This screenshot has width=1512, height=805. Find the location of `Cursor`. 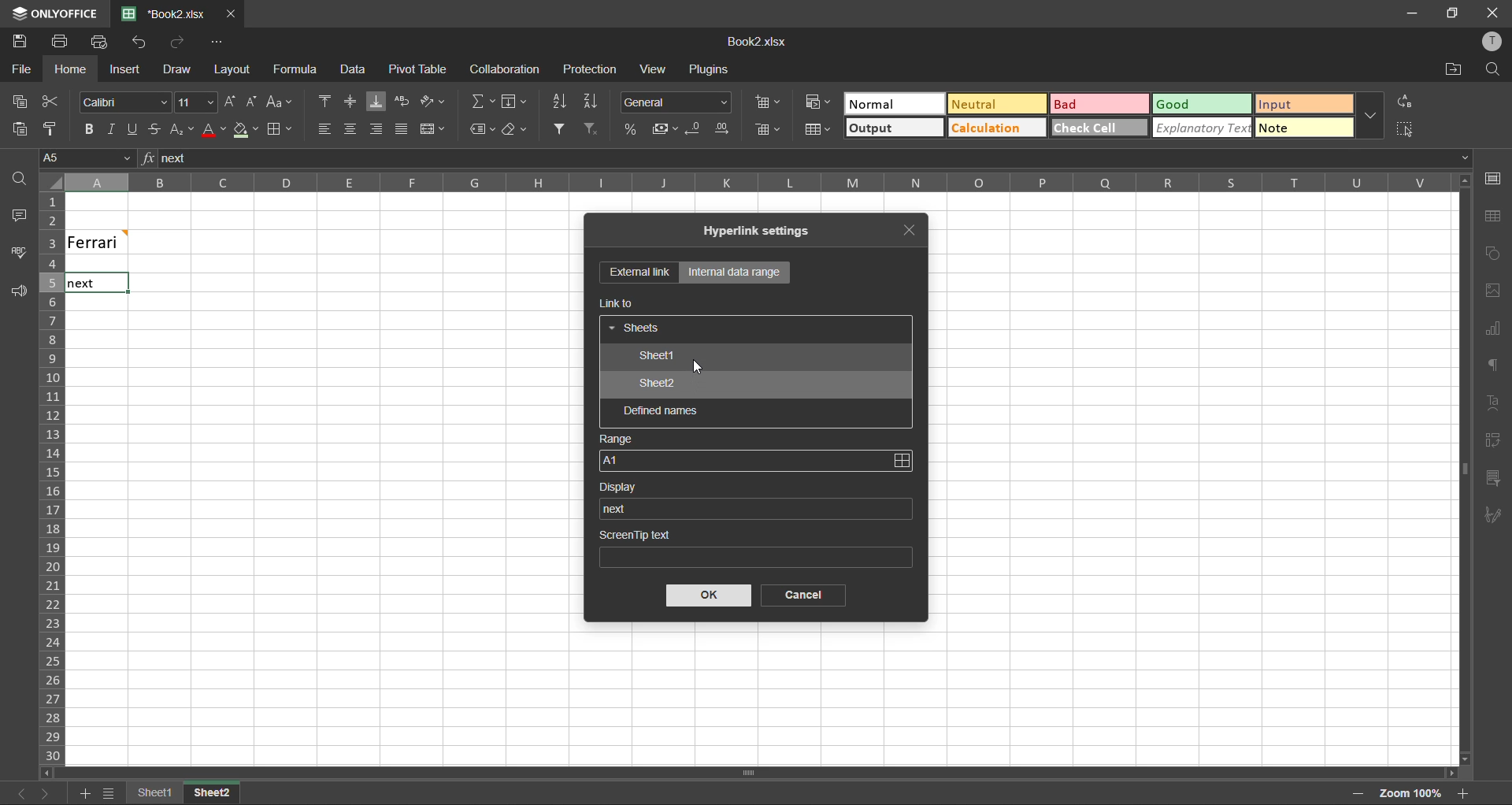

Cursor is located at coordinates (703, 367).